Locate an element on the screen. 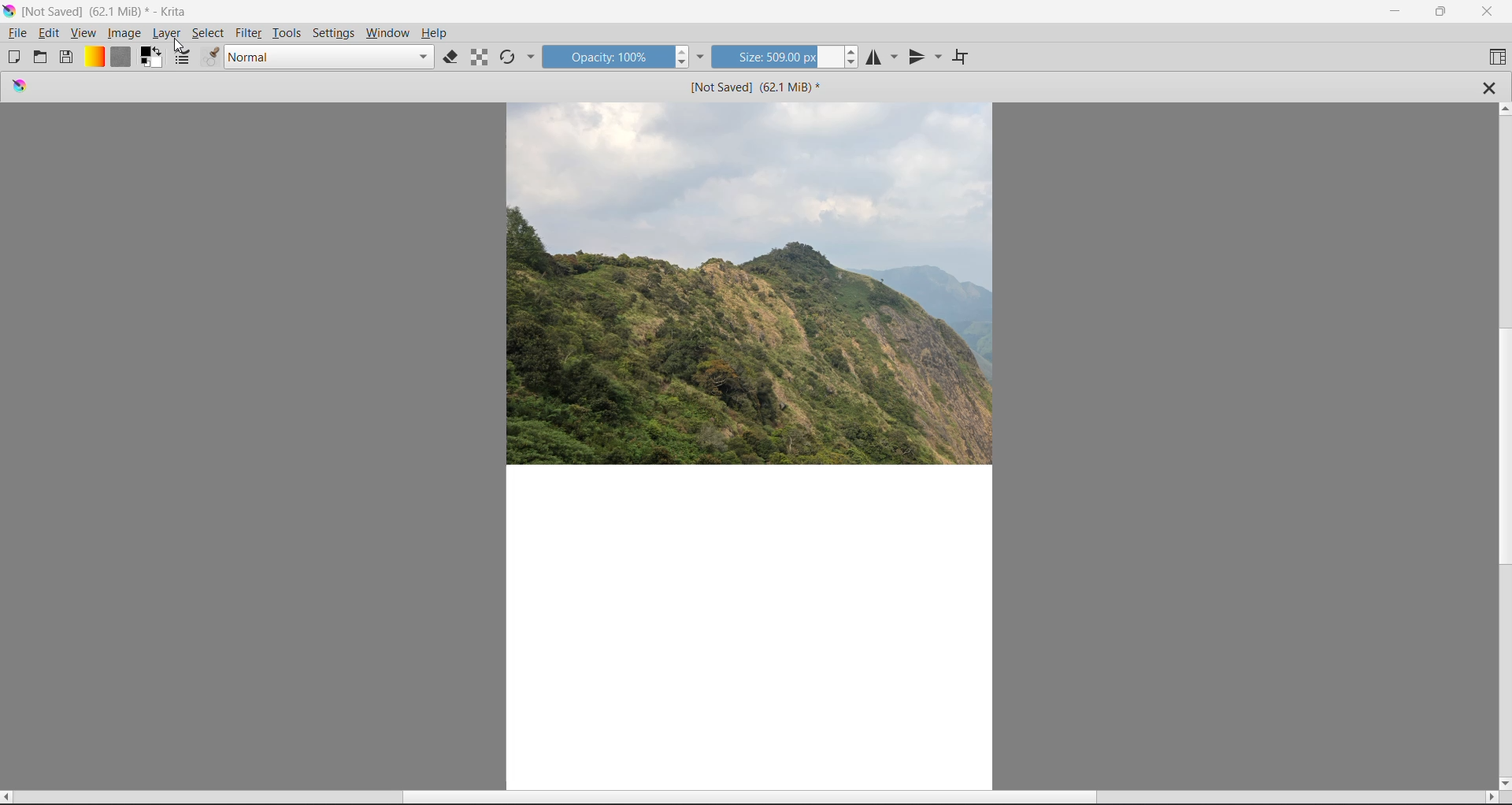 Image resolution: width=1512 pixels, height=805 pixels. Settings is located at coordinates (334, 32).